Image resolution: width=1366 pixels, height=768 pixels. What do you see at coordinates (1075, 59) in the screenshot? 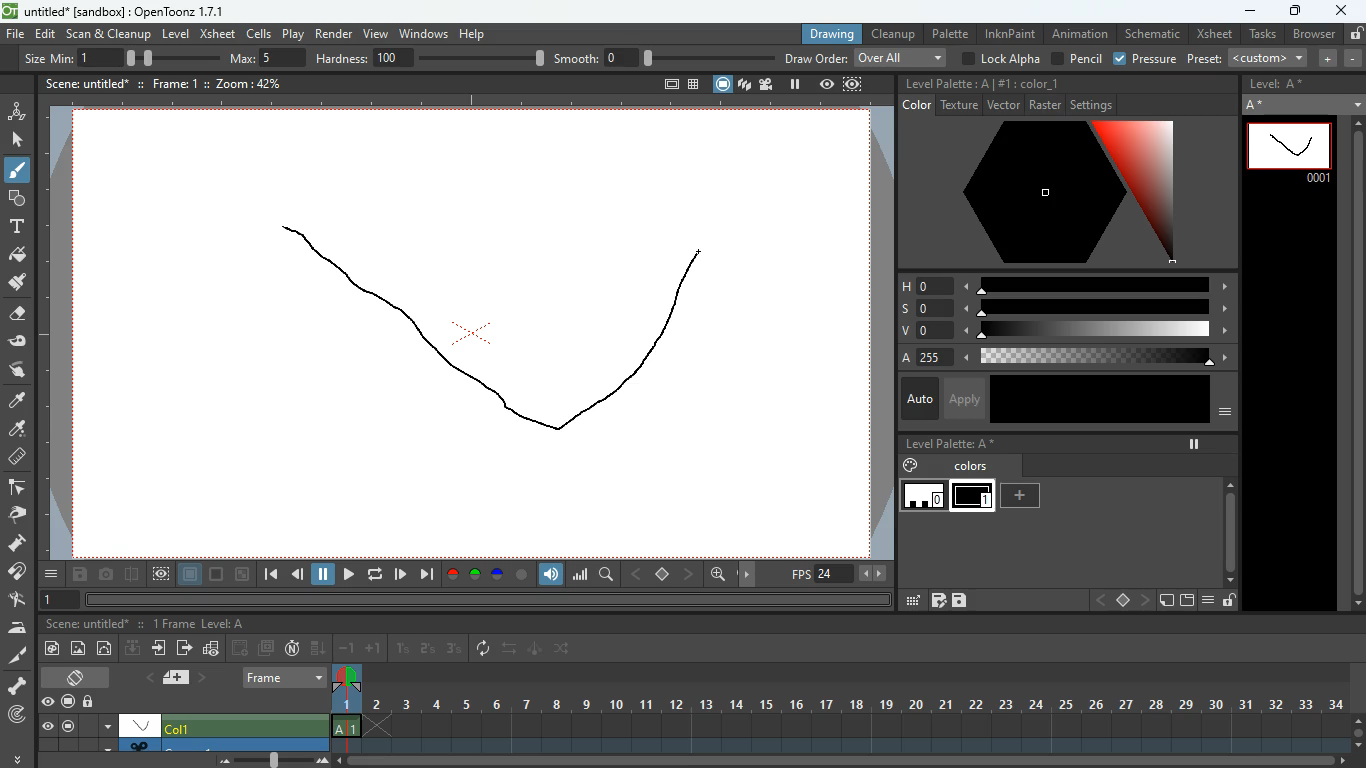
I see `pencil` at bounding box center [1075, 59].